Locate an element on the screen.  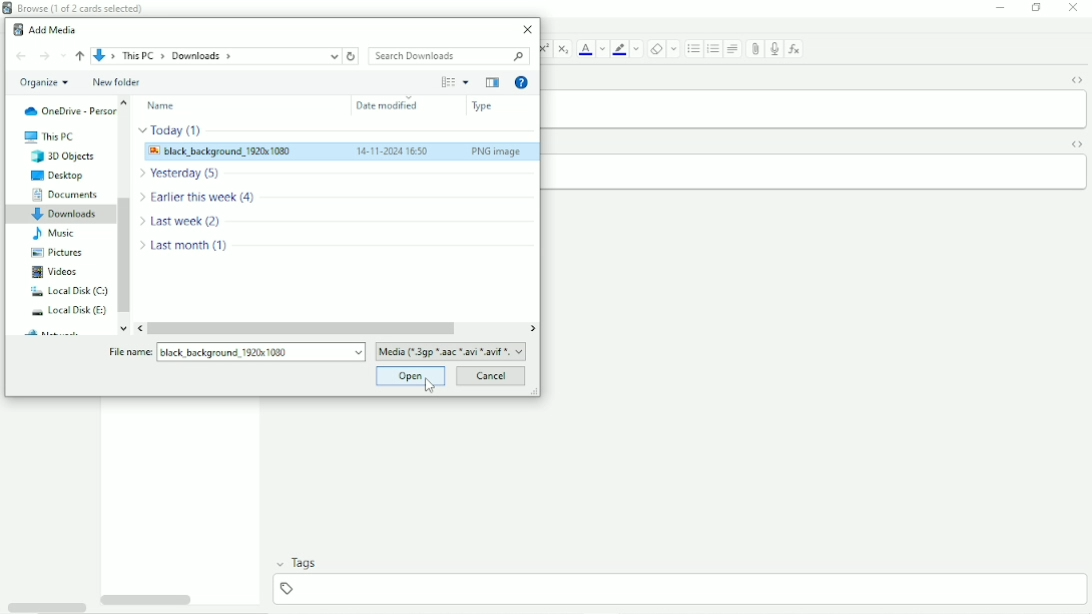
Change your view is located at coordinates (448, 82).